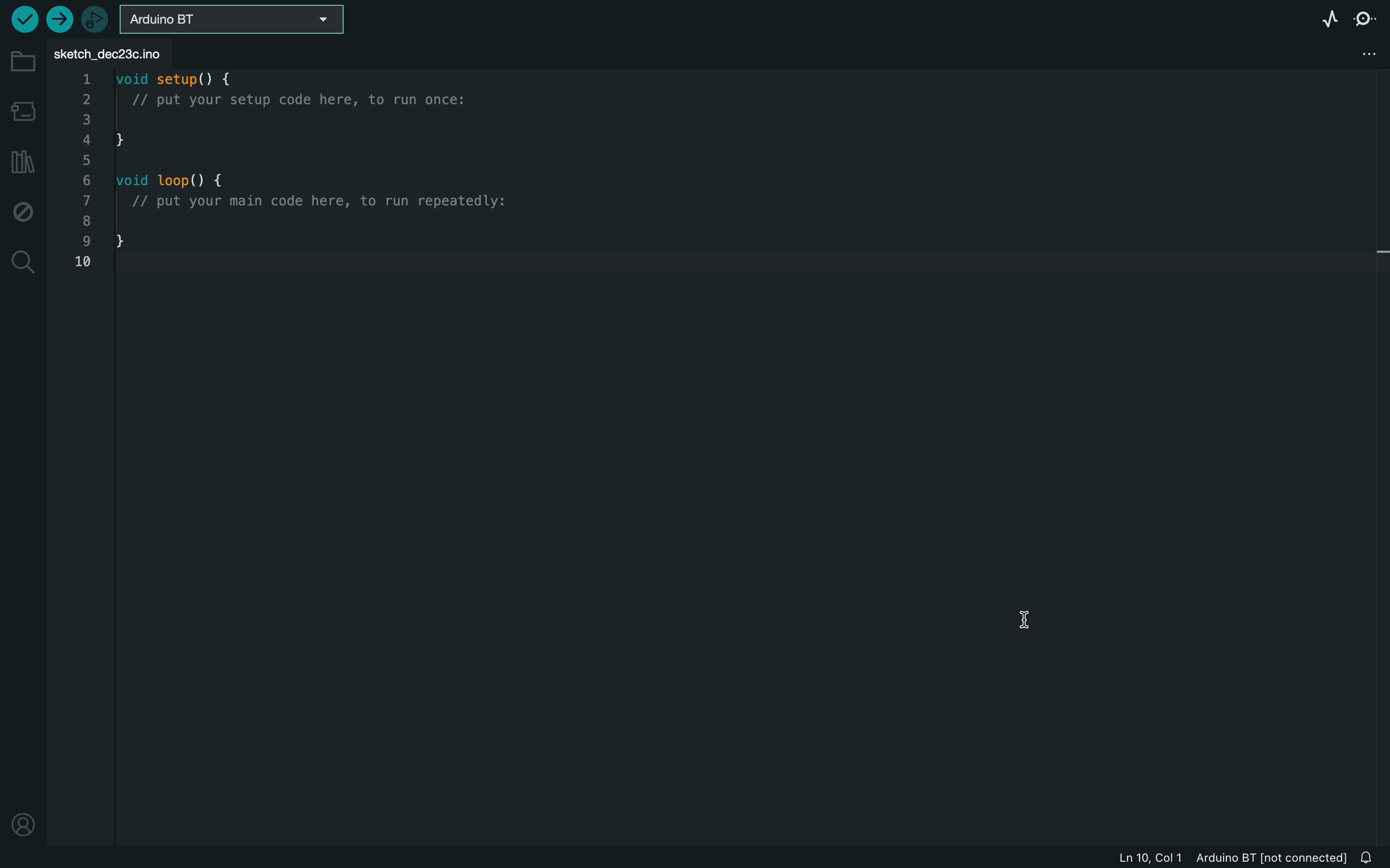 The width and height of the screenshot is (1390, 868). What do you see at coordinates (23, 111) in the screenshot?
I see `board manager` at bounding box center [23, 111].